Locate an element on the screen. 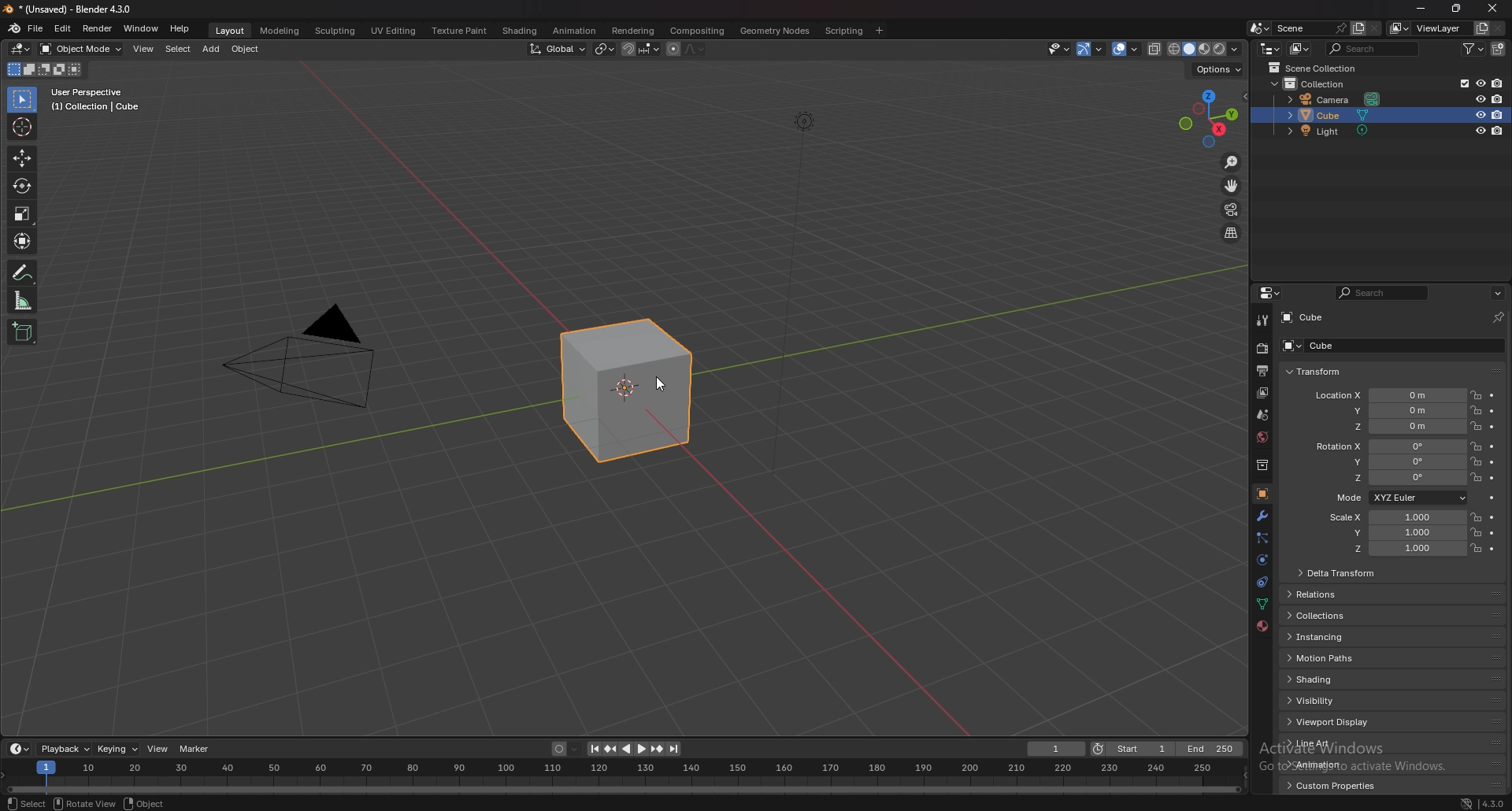  sculpting is located at coordinates (338, 31).